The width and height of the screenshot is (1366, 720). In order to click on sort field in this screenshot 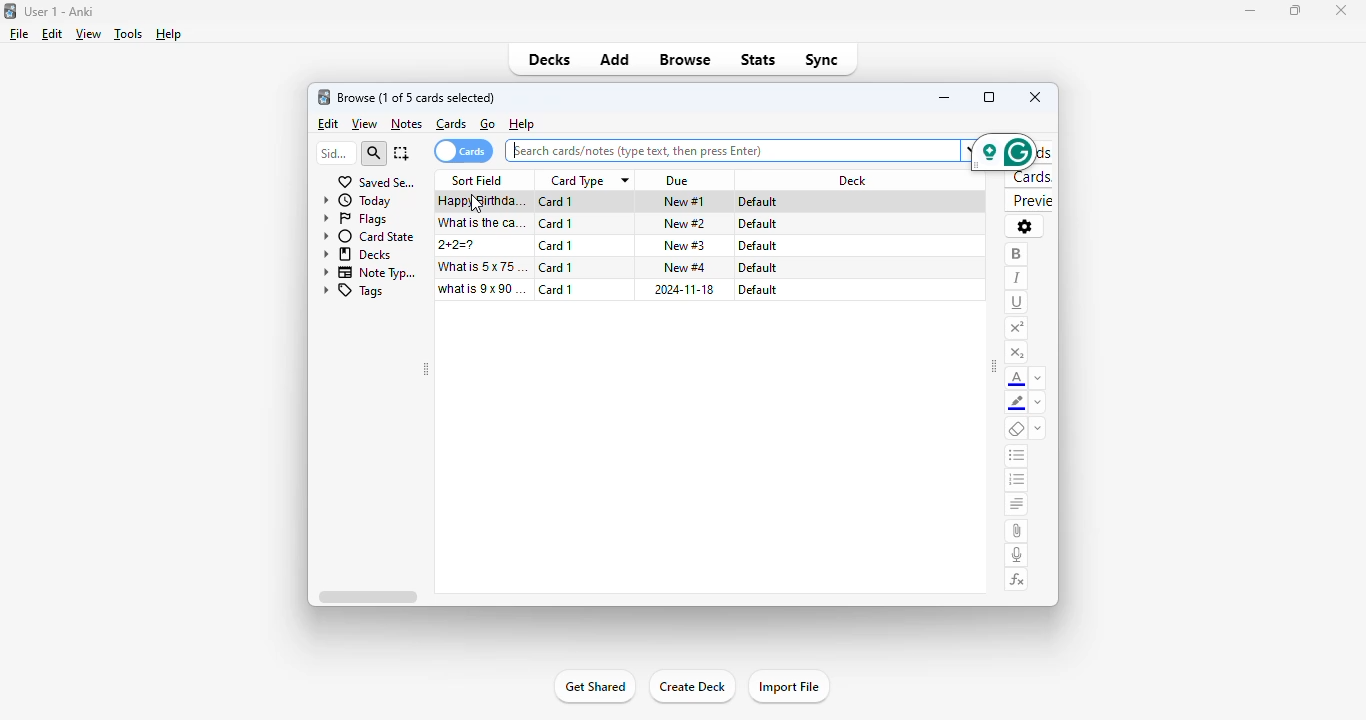, I will do `click(477, 180)`.